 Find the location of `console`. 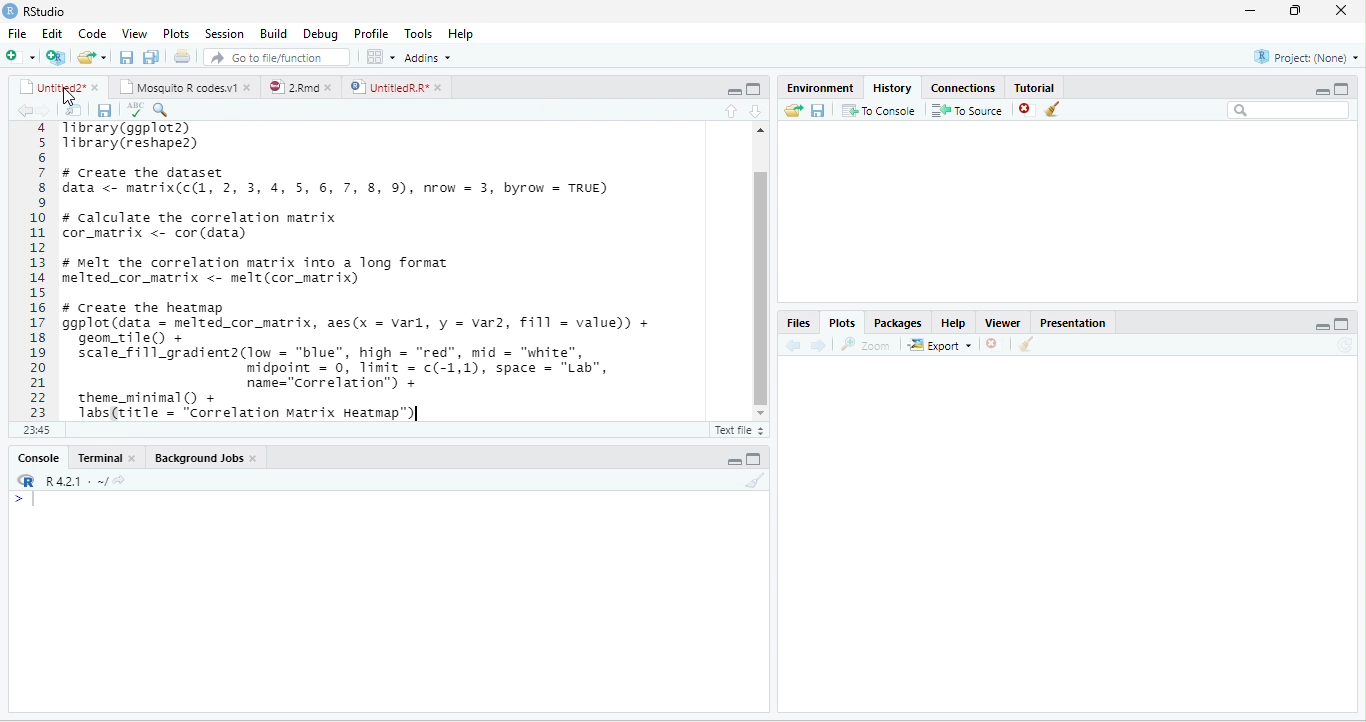

console is located at coordinates (33, 458).